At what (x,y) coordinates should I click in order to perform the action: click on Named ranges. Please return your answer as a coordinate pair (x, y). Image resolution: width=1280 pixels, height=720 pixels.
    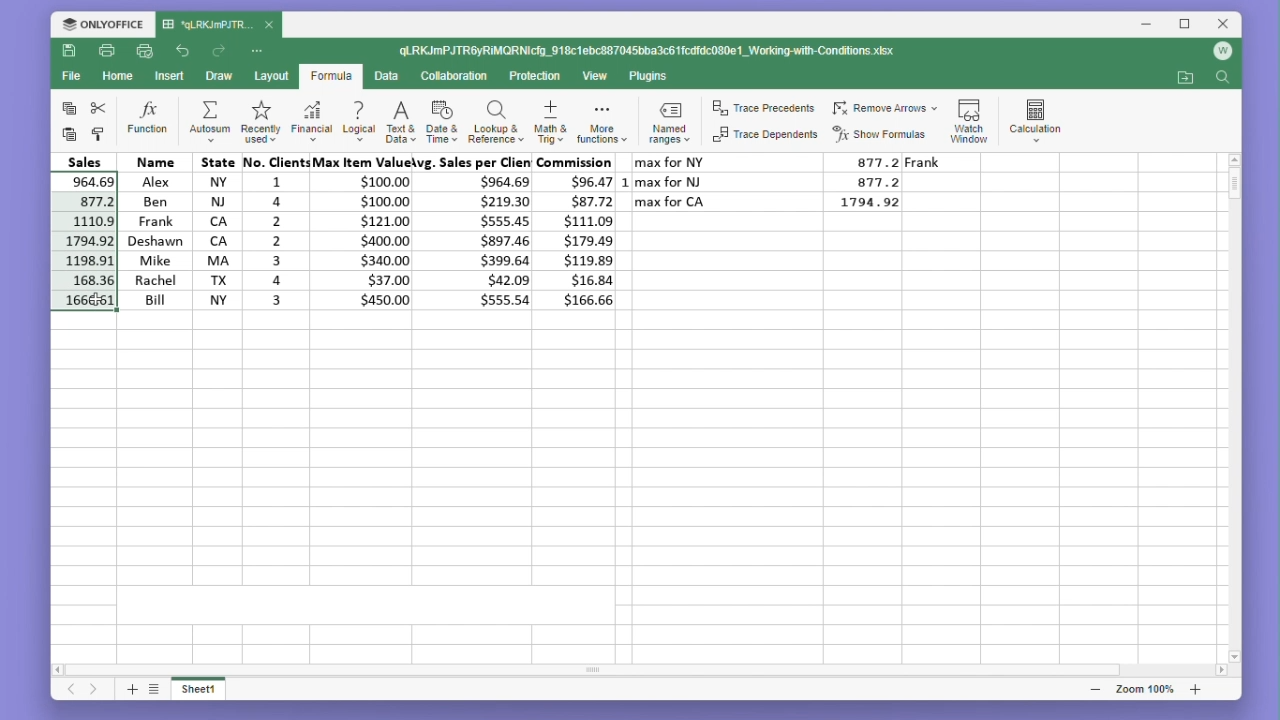
    Looking at the image, I should click on (673, 121).